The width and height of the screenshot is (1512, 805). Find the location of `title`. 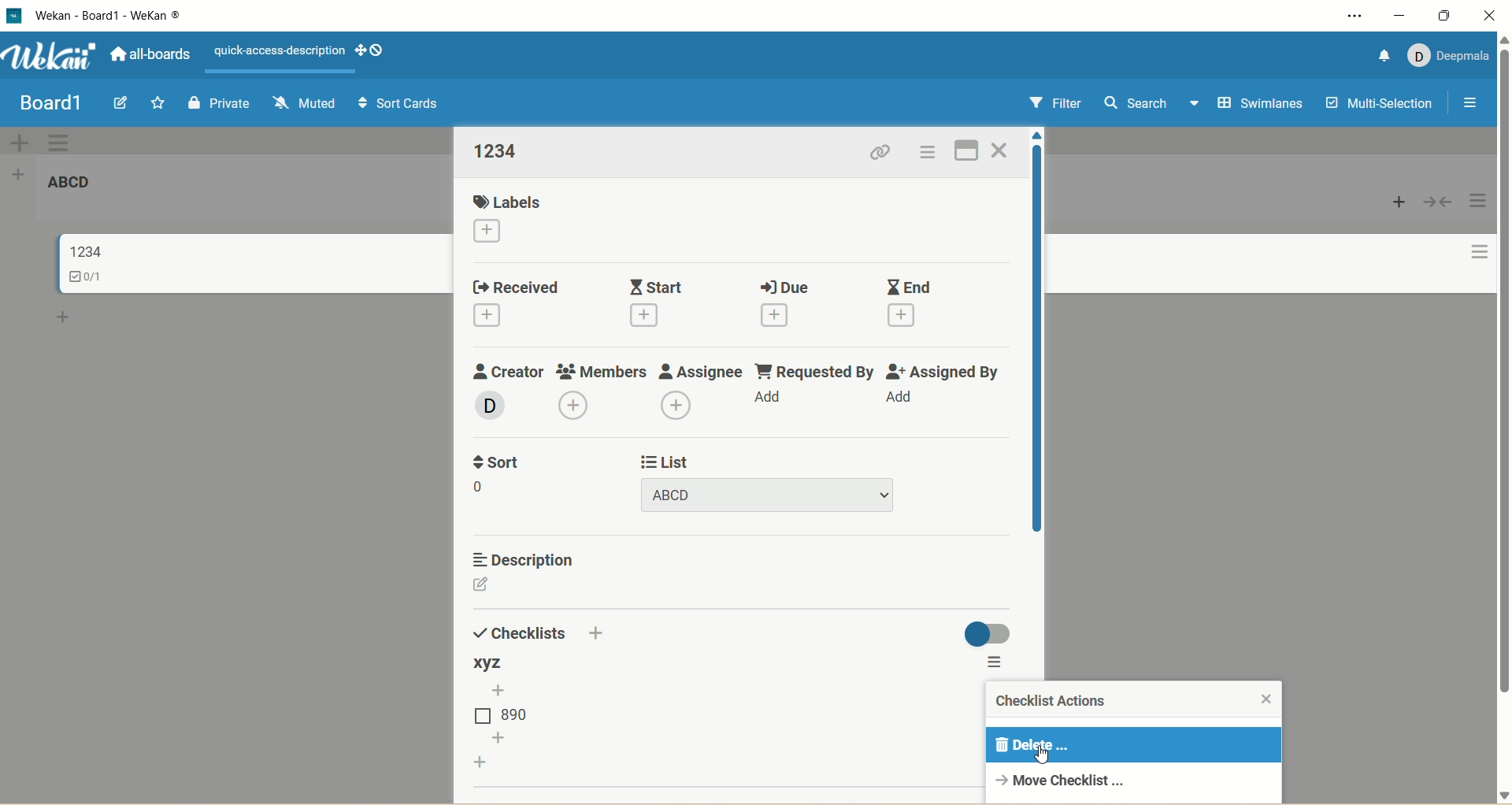

title is located at coordinates (69, 183).